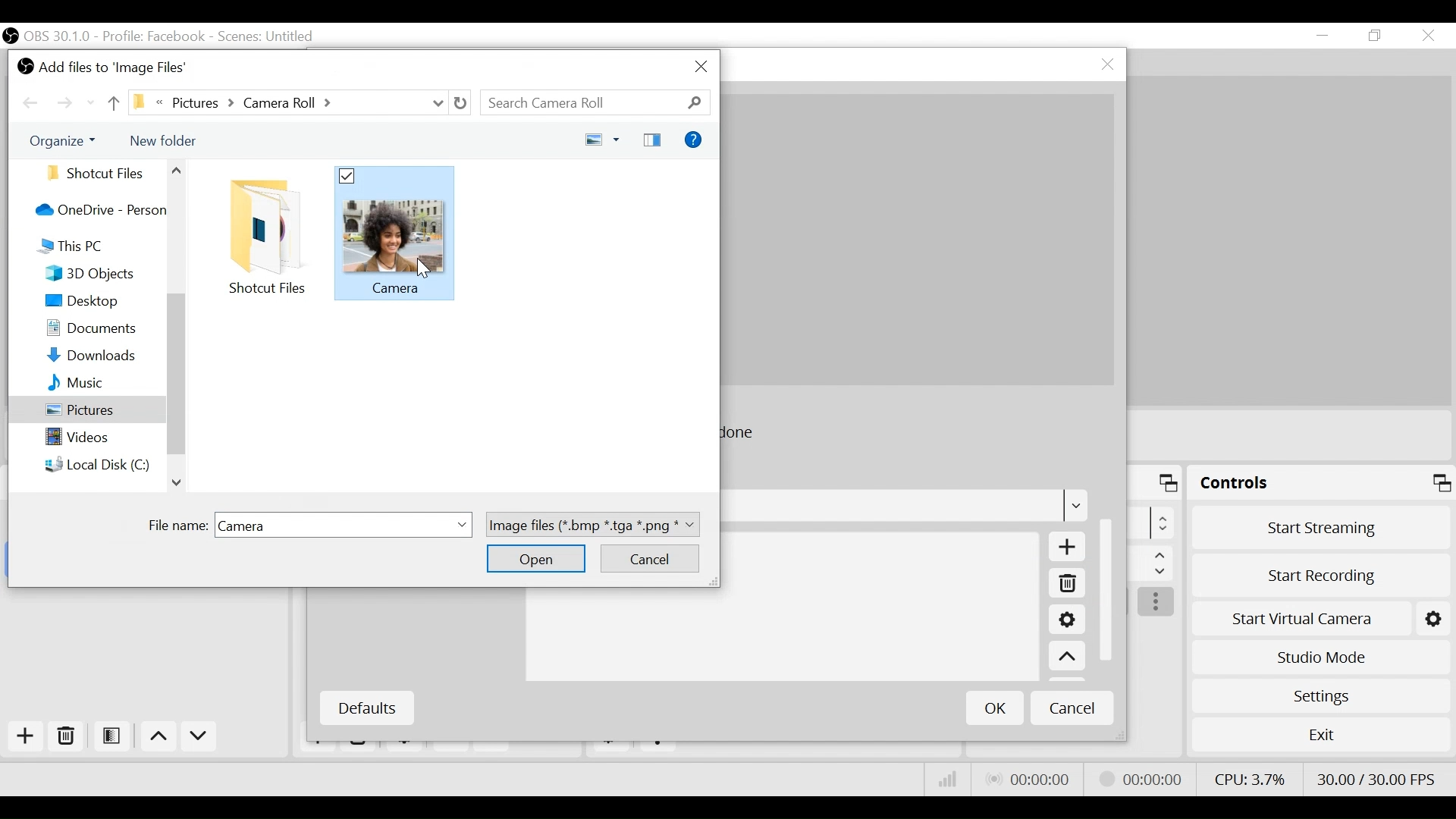 The height and width of the screenshot is (819, 1456). Describe the element at coordinates (102, 303) in the screenshot. I see `Desktop` at that location.